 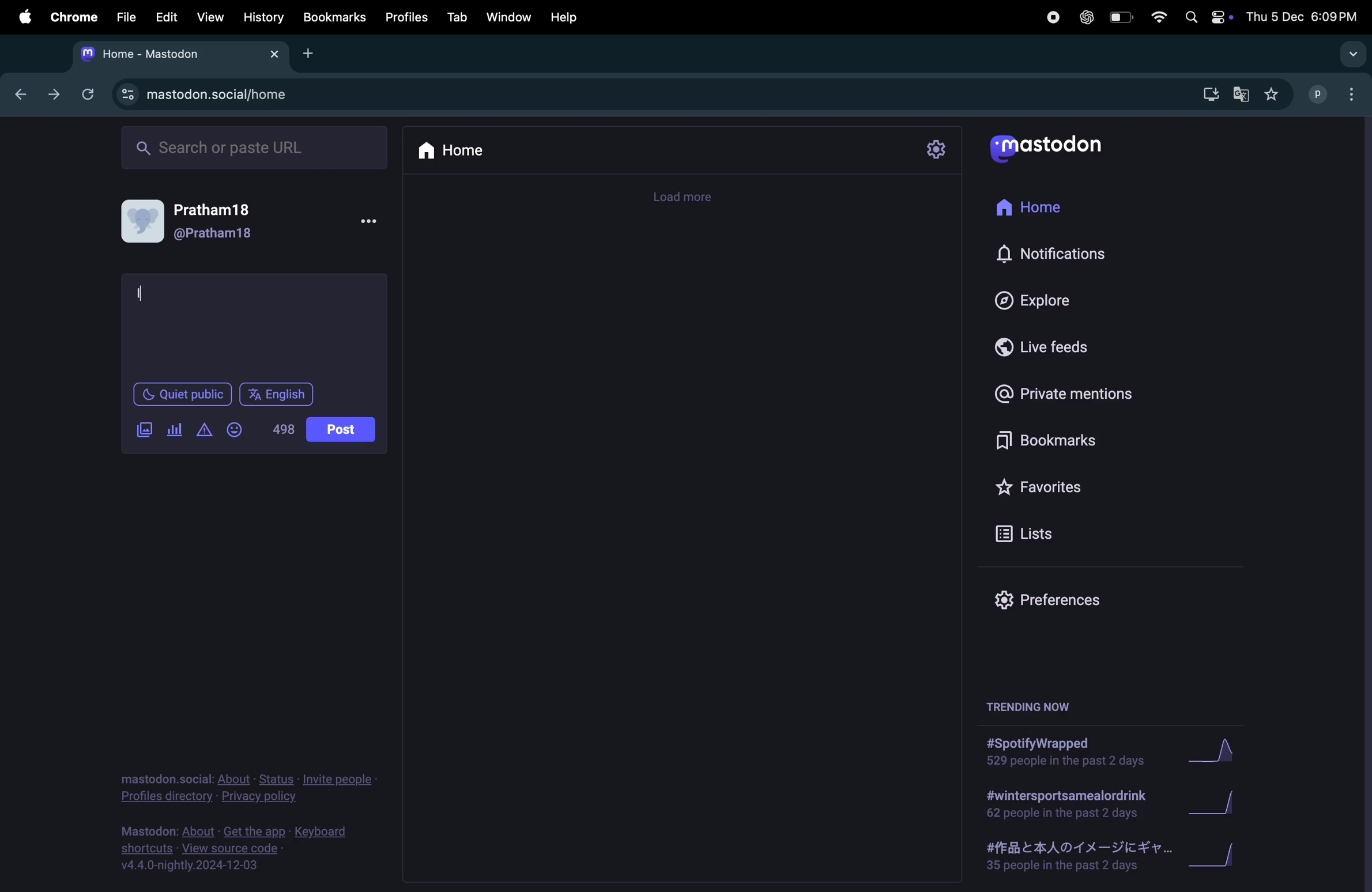 What do you see at coordinates (241, 789) in the screenshot?
I see `privacy` at bounding box center [241, 789].